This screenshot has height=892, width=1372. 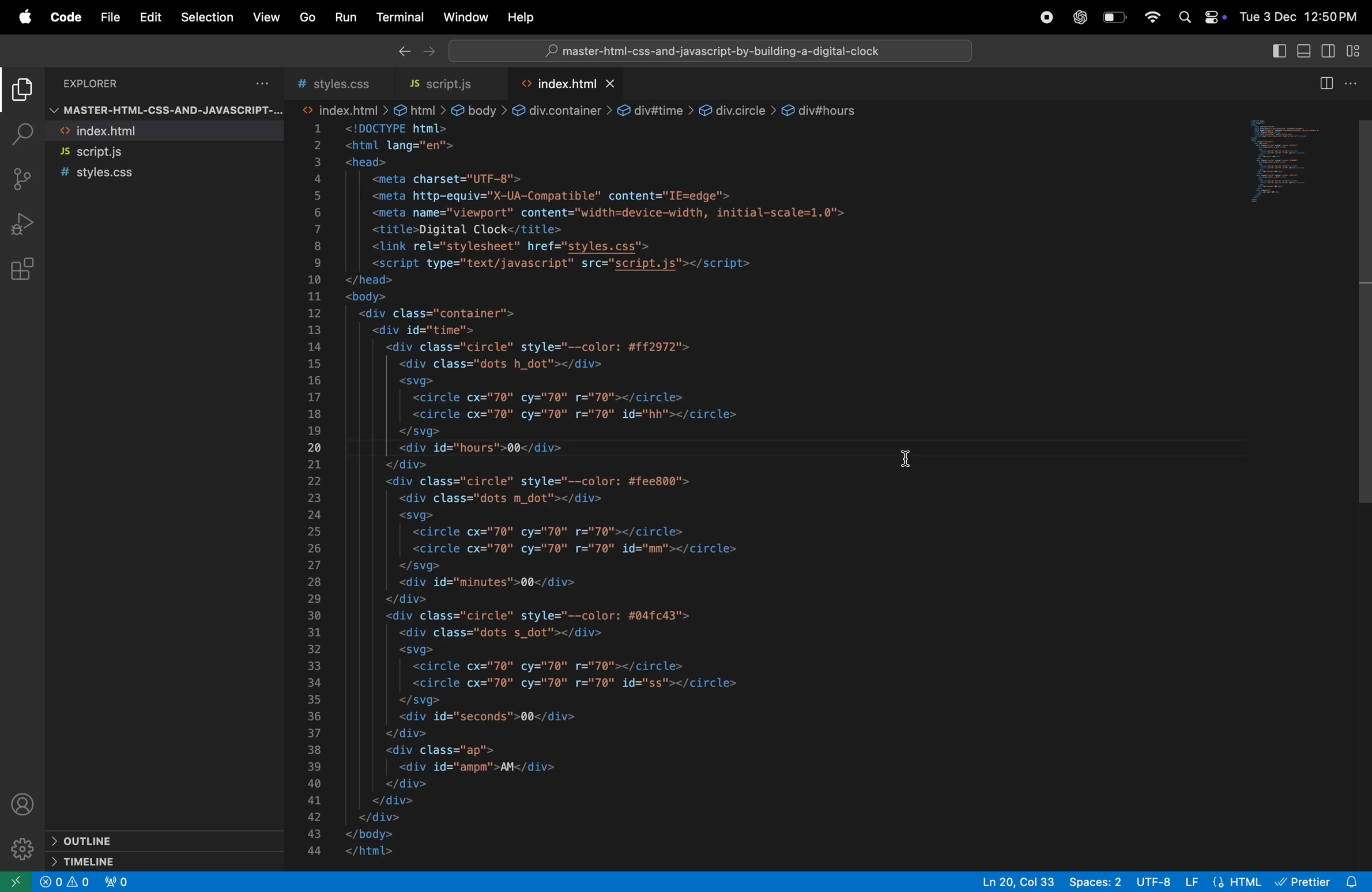 What do you see at coordinates (165, 131) in the screenshot?
I see `index.html` at bounding box center [165, 131].